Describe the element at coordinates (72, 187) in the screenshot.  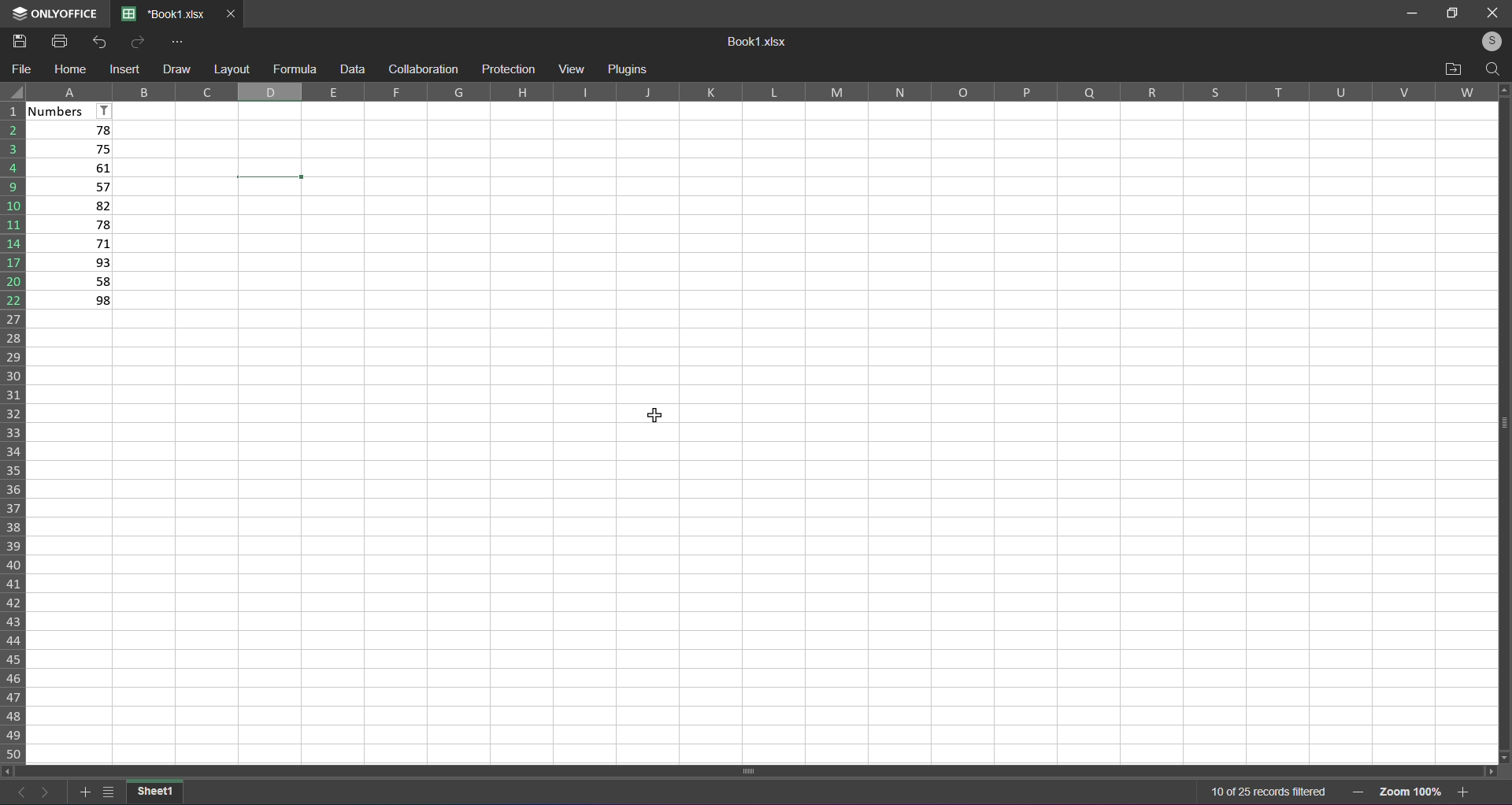
I see `57` at that location.